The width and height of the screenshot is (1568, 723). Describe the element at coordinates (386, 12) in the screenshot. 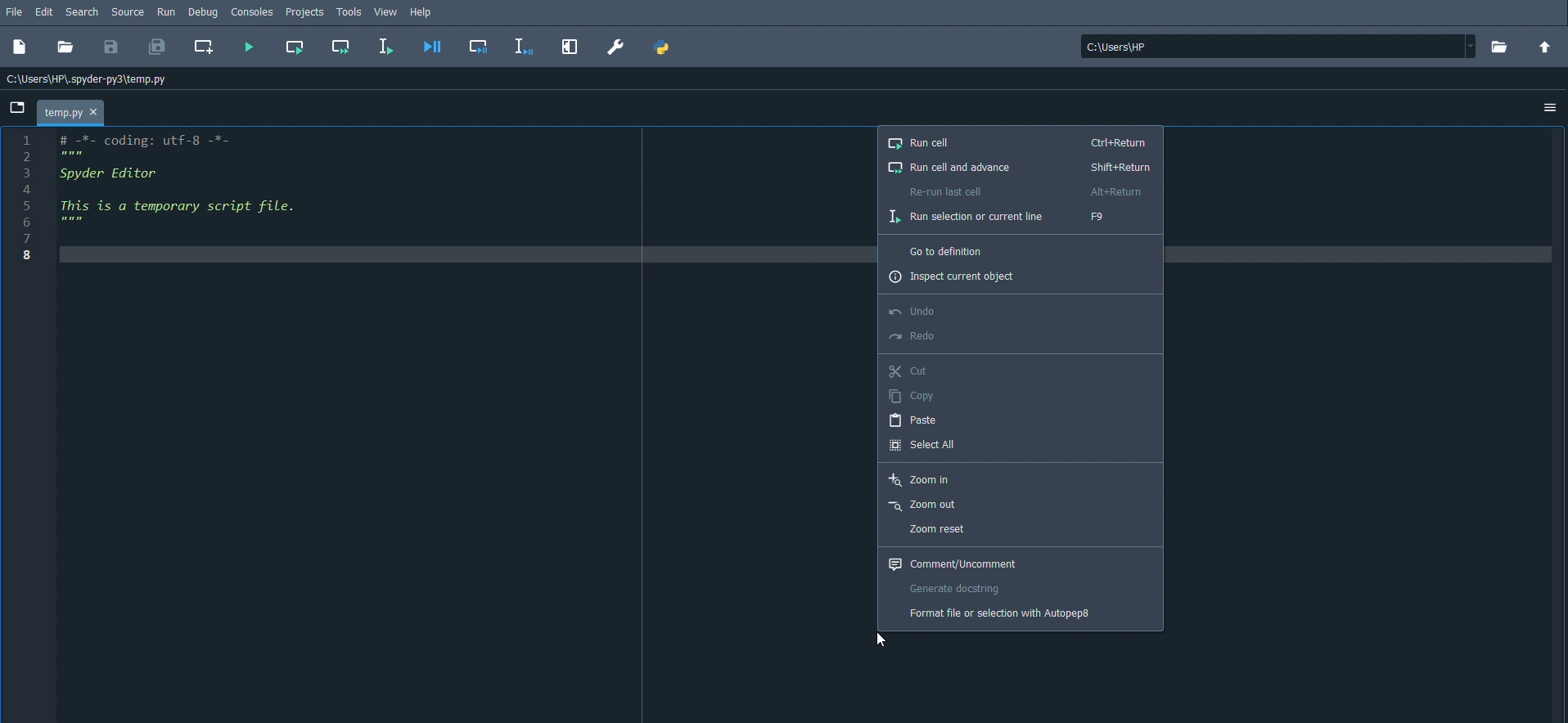

I see `View` at that location.